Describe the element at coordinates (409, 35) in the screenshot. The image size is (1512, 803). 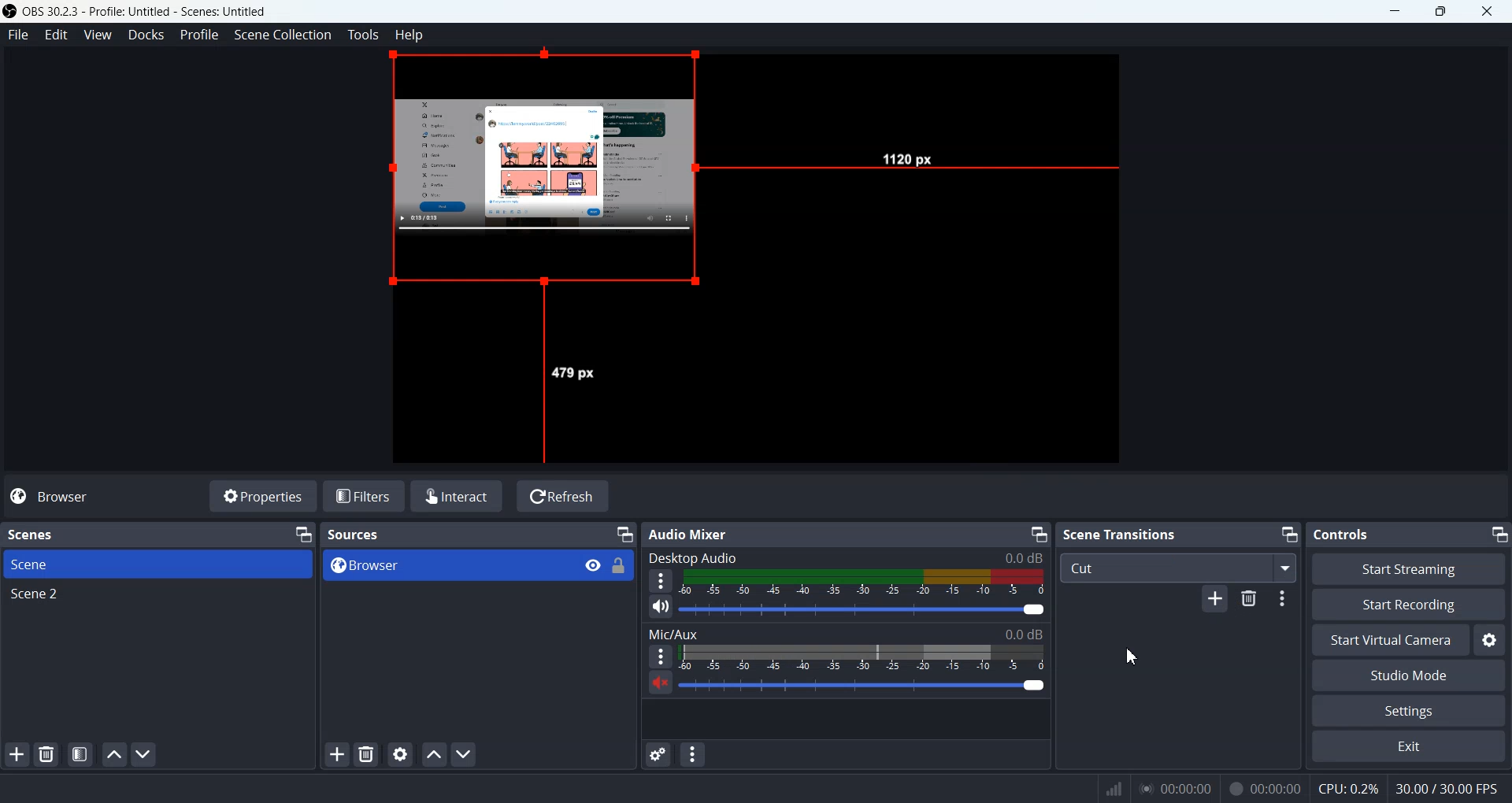
I see `Help` at that location.